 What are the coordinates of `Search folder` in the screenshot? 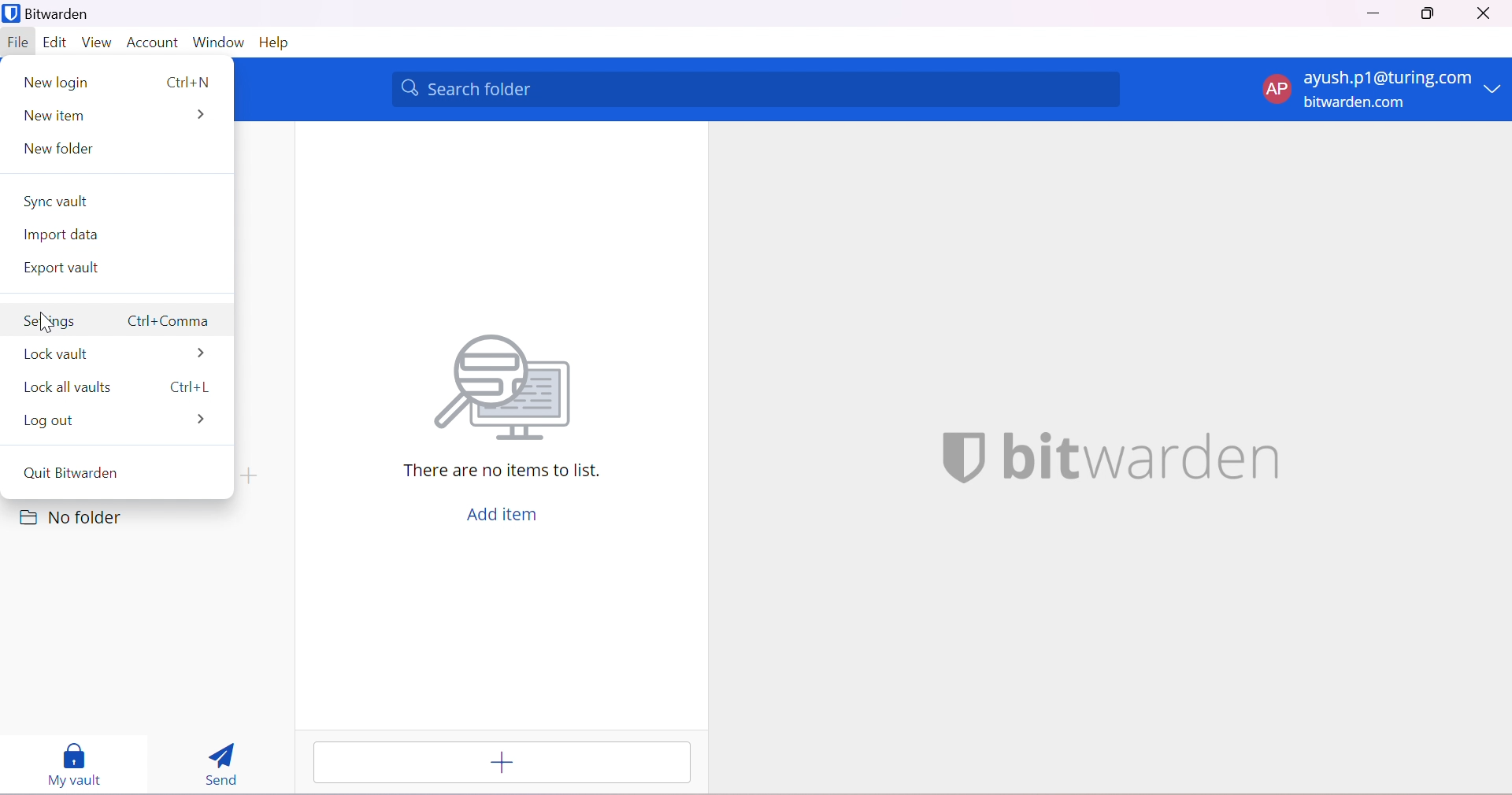 It's located at (758, 89).